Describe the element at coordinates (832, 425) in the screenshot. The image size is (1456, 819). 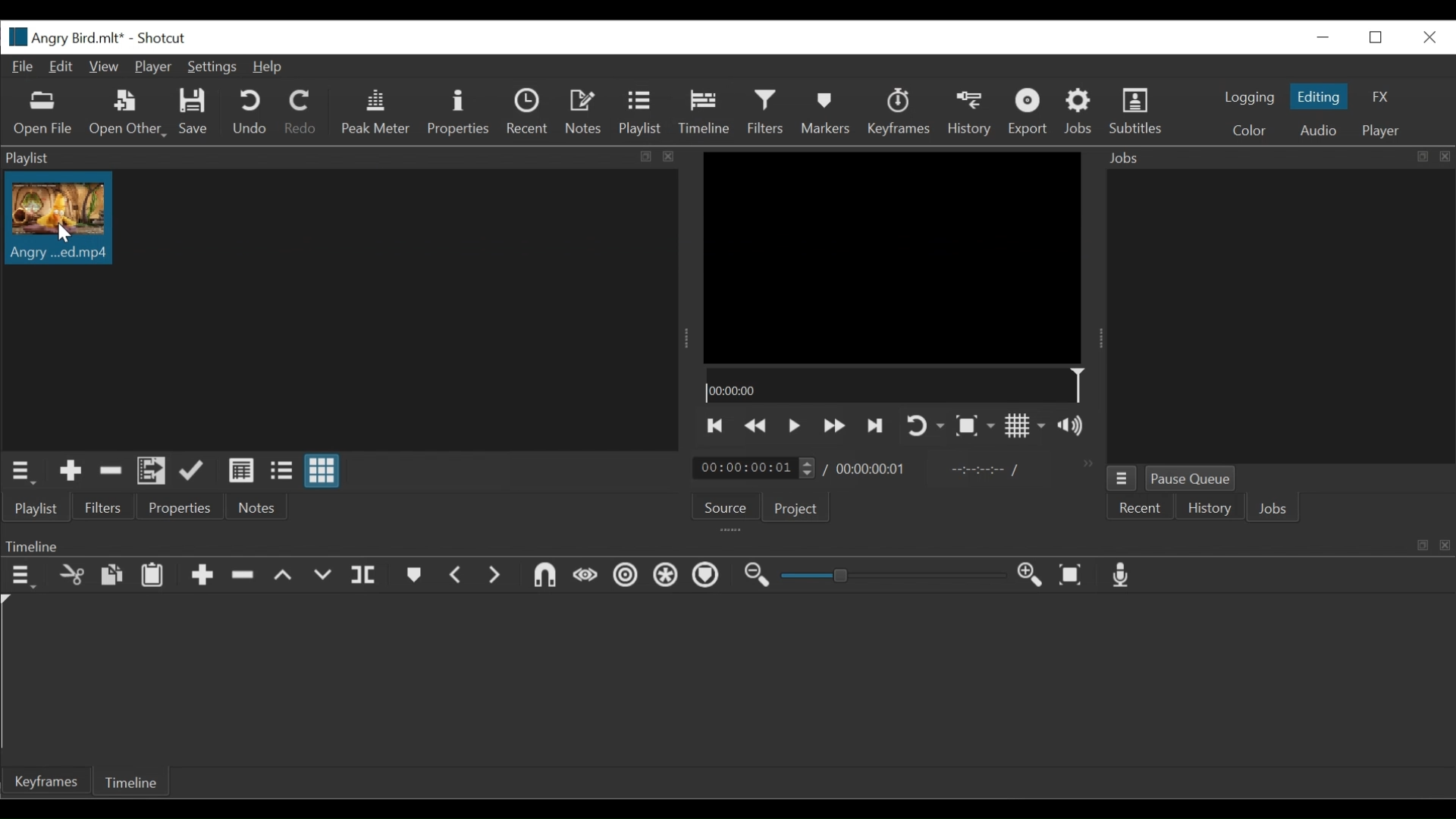
I see `Play forward quickly` at that location.